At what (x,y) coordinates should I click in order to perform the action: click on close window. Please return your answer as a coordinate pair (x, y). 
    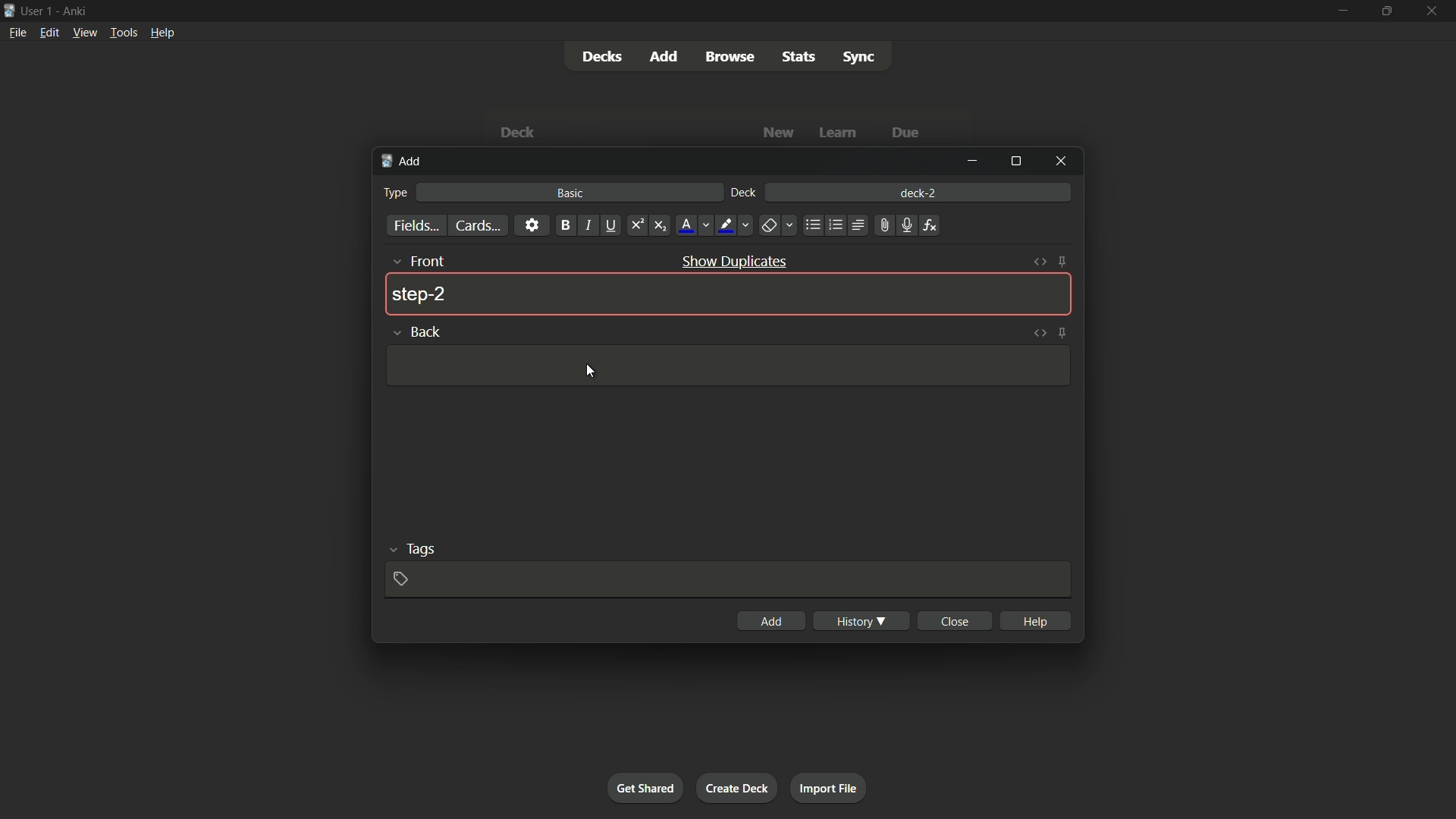
    Looking at the image, I should click on (1058, 161).